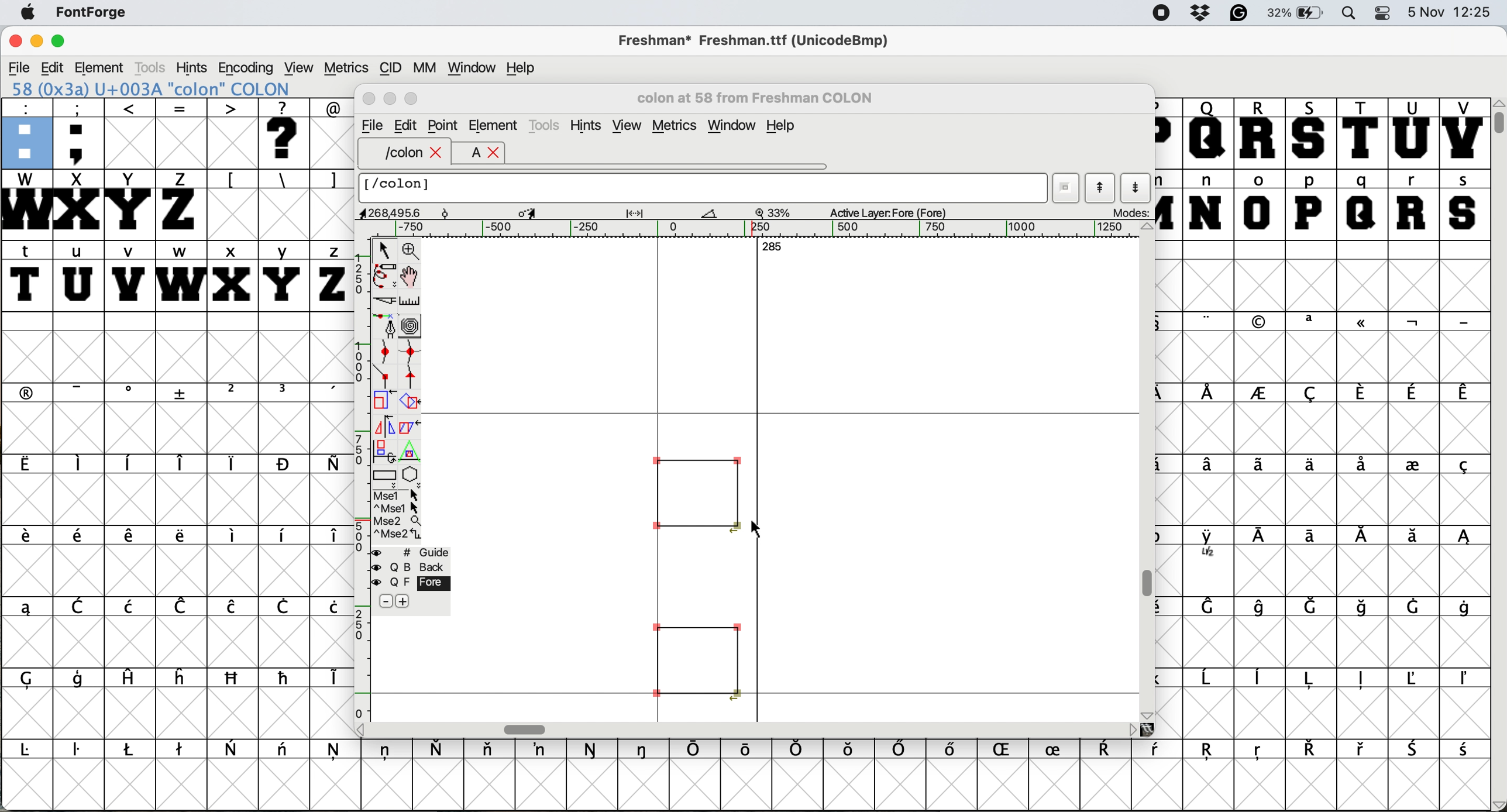 Image resolution: width=1507 pixels, height=812 pixels. I want to click on P, so click(1167, 133).